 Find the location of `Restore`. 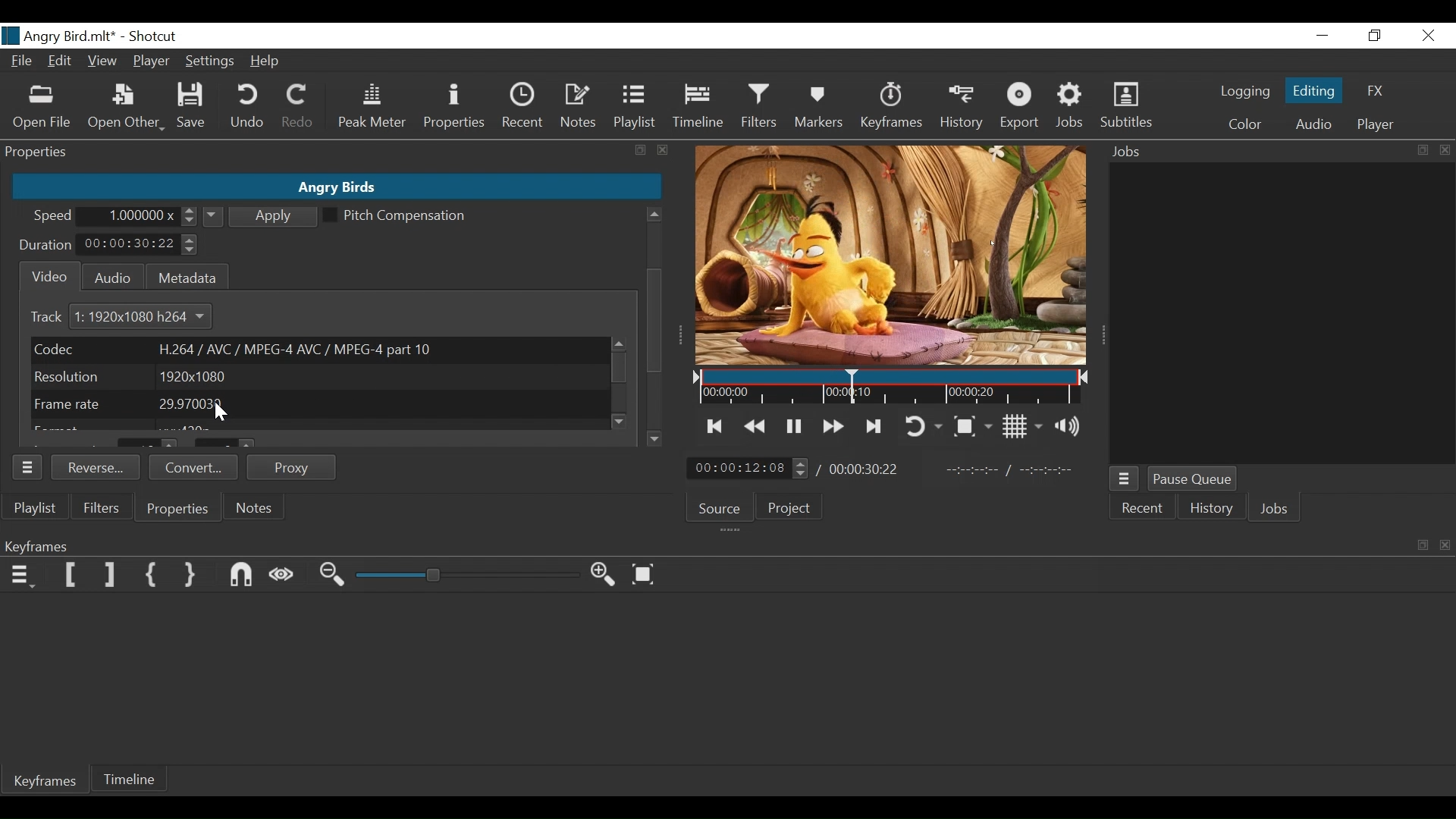

Restore is located at coordinates (1375, 36).